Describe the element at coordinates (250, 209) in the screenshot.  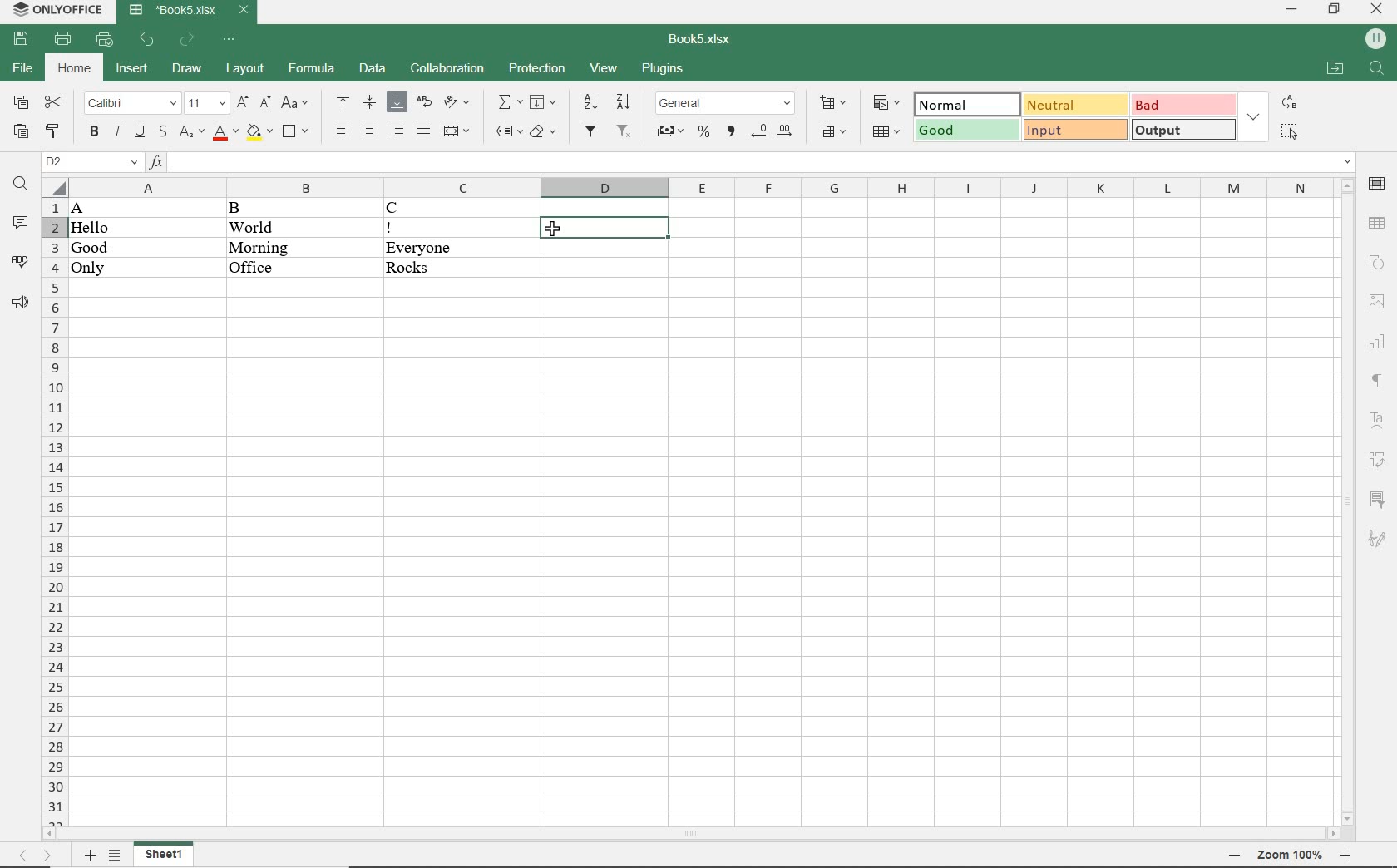
I see `B` at that location.